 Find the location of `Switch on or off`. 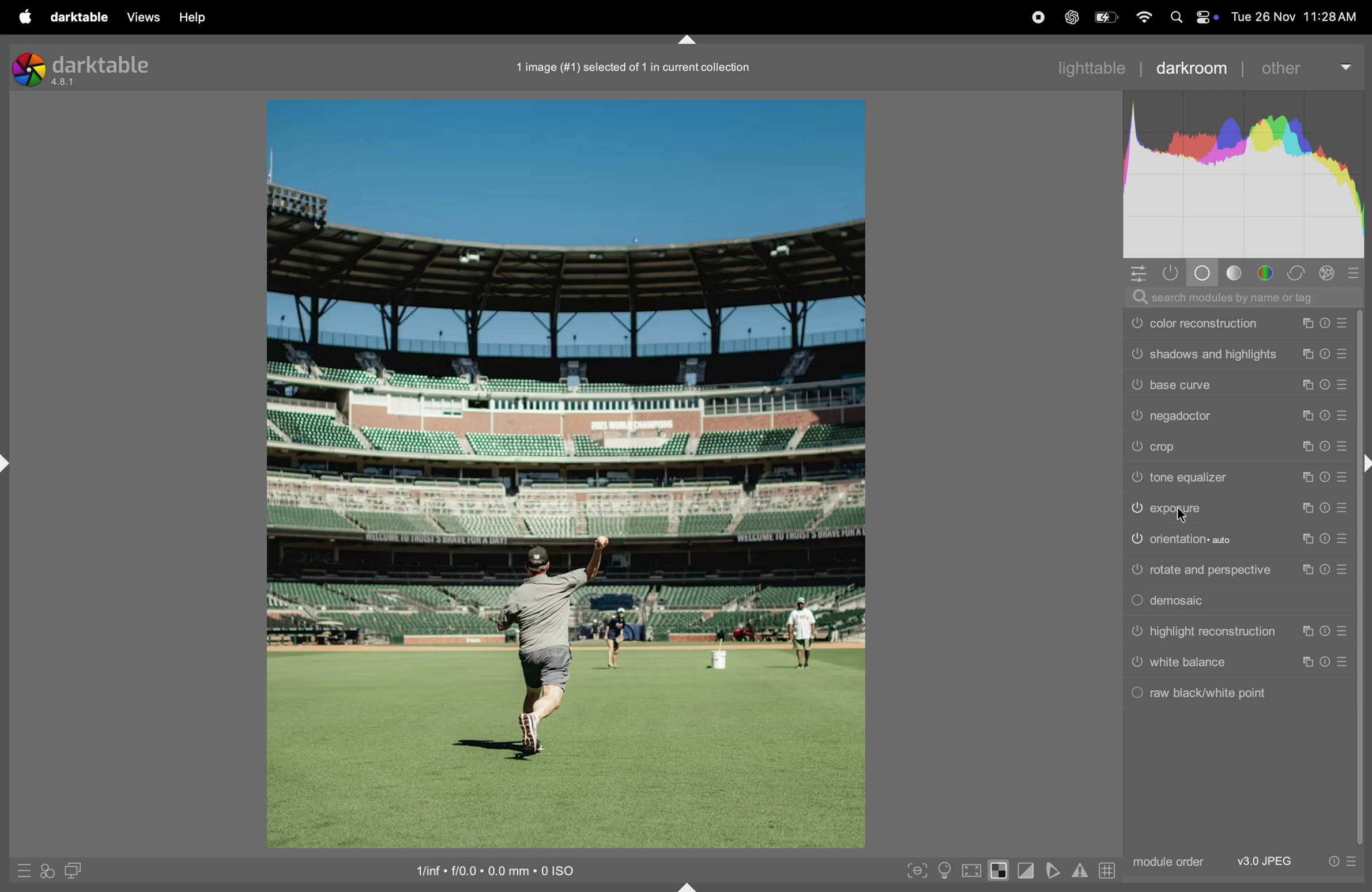

Switch on or off is located at coordinates (1136, 662).